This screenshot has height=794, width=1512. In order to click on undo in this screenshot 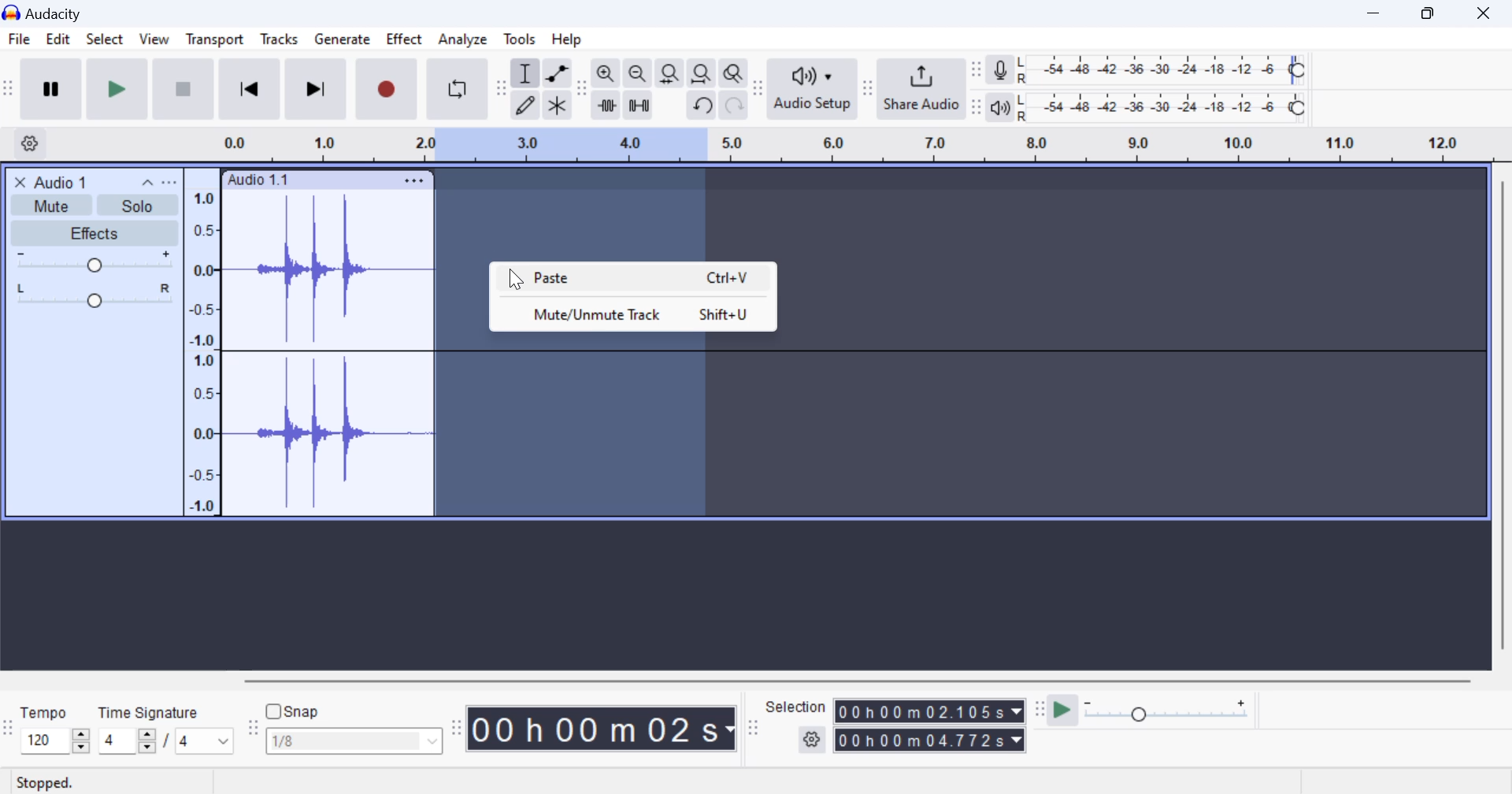, I will do `click(703, 106)`.